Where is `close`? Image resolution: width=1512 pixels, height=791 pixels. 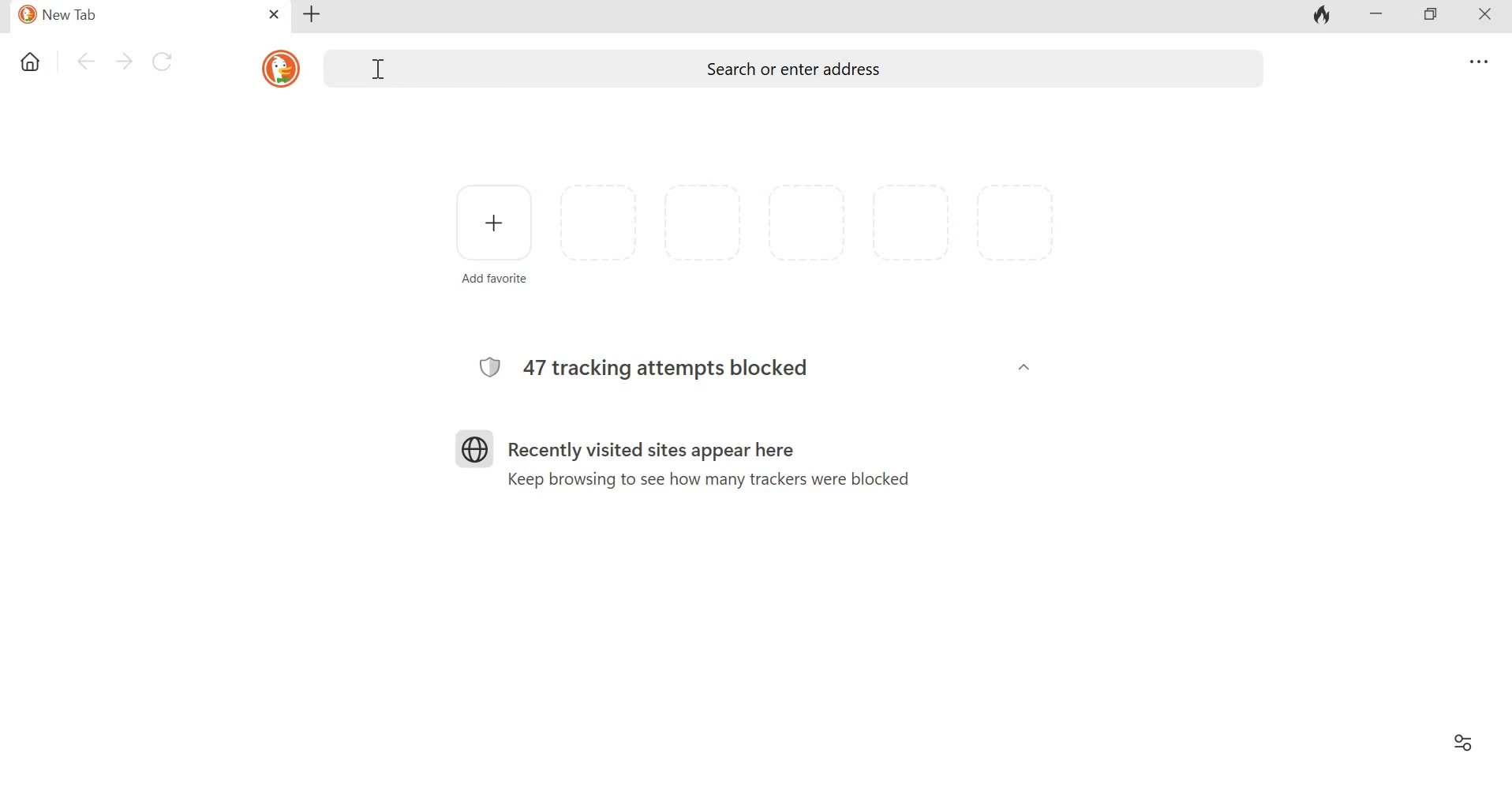
close is located at coordinates (275, 15).